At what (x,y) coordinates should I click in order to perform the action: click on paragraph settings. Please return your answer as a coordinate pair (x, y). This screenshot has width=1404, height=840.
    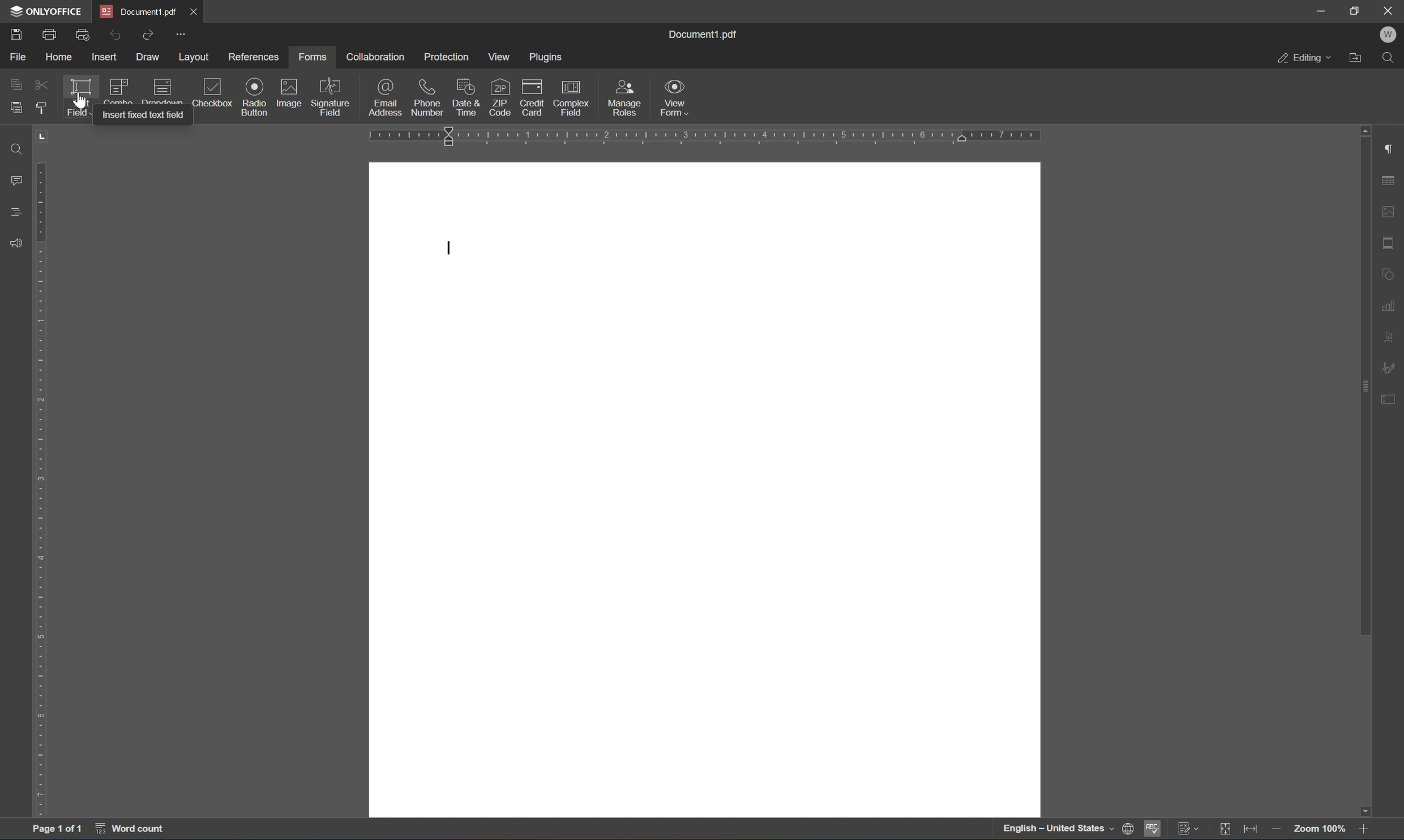
    Looking at the image, I should click on (1389, 148).